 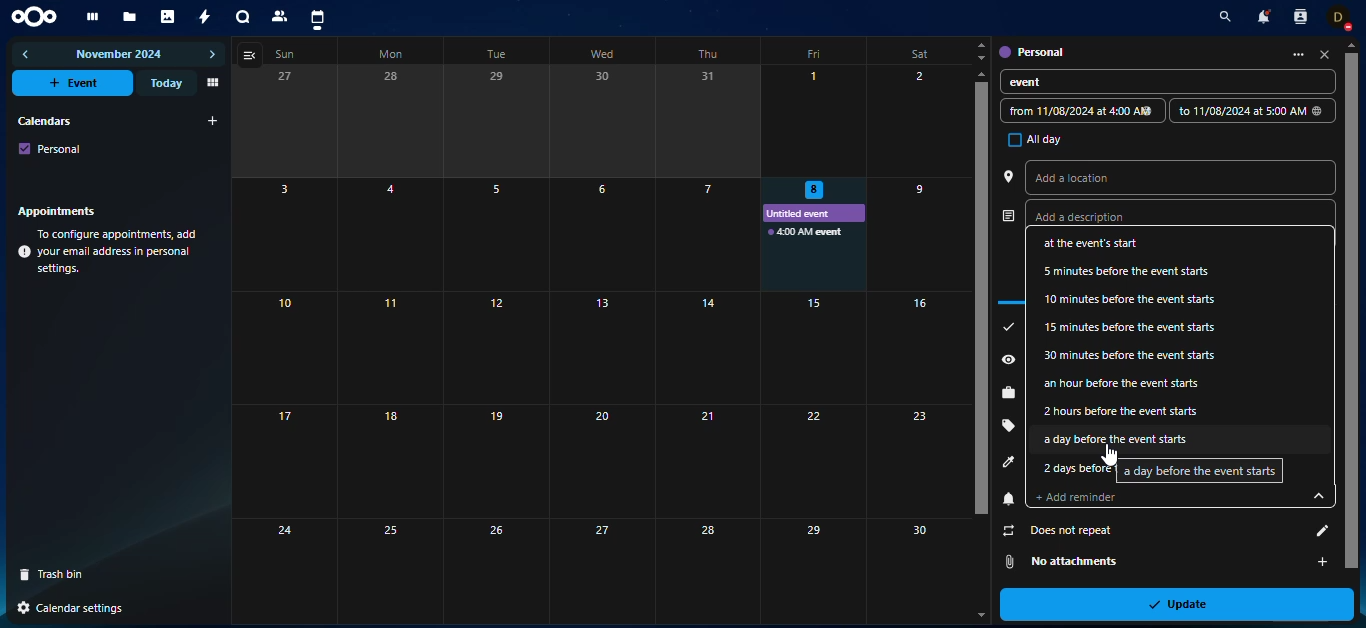 What do you see at coordinates (59, 574) in the screenshot?
I see `trash bin` at bounding box center [59, 574].